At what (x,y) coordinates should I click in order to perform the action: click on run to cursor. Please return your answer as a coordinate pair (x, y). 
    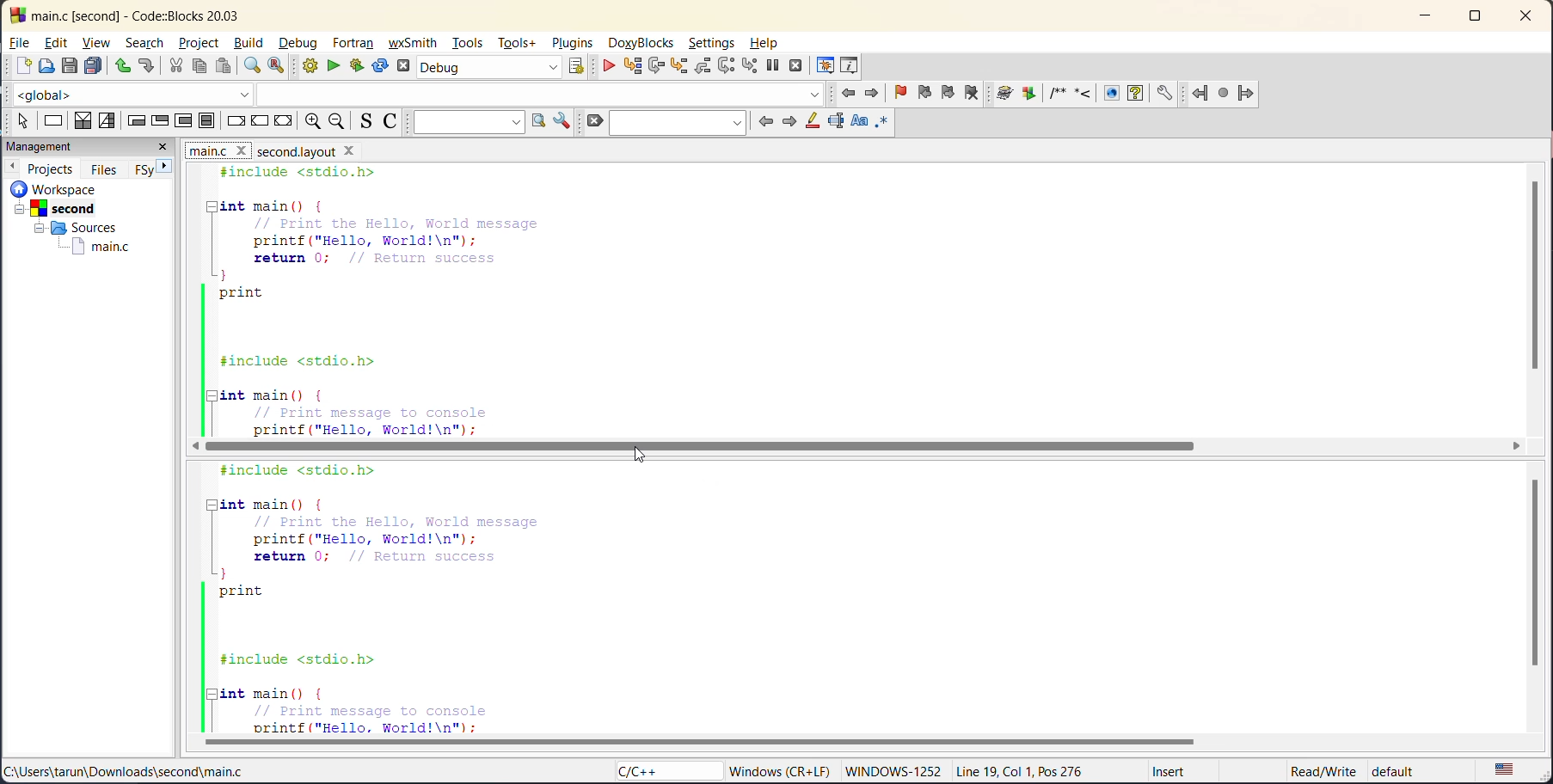
    Looking at the image, I should click on (632, 66).